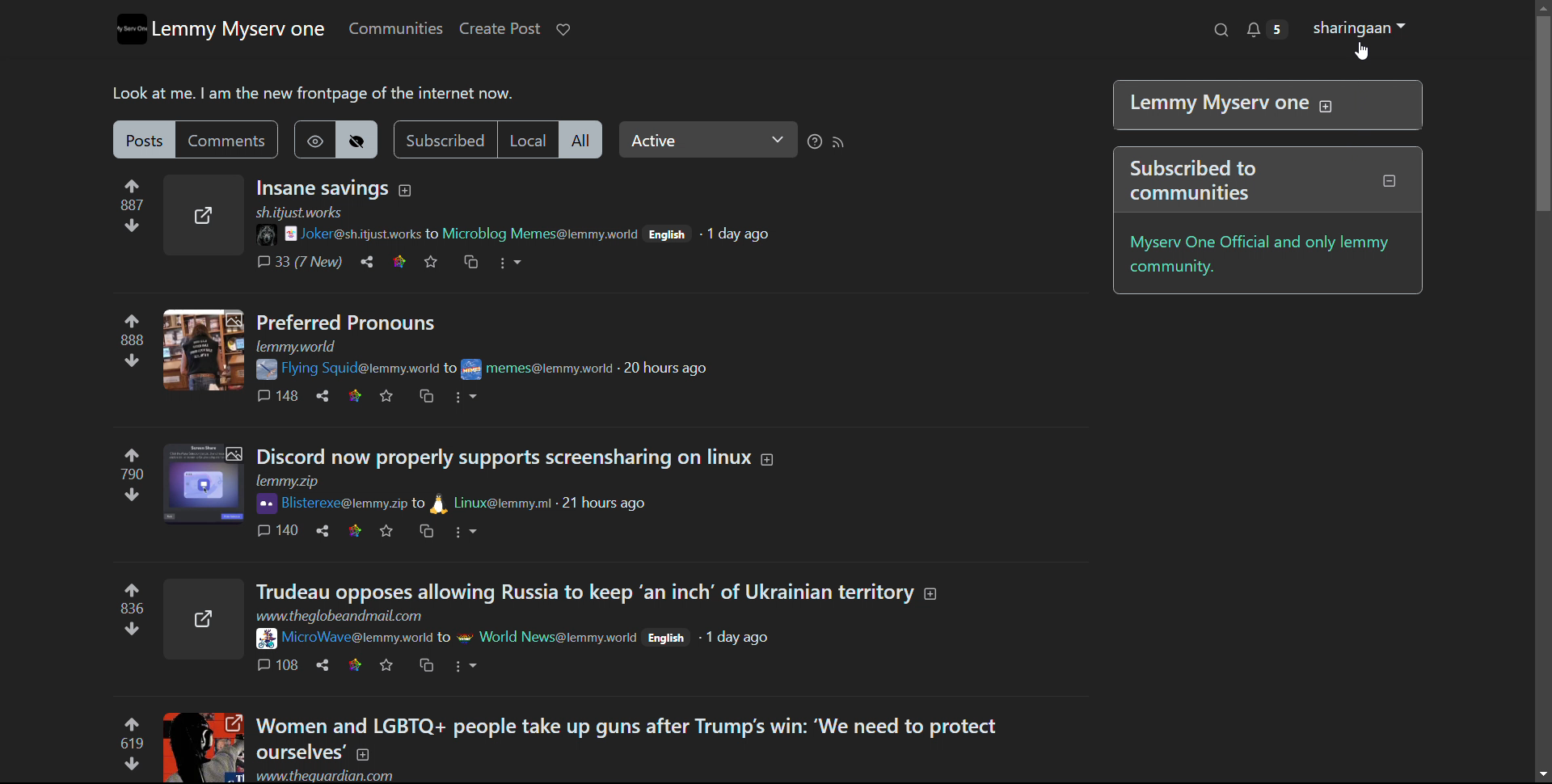  I want to click on link, so click(398, 263).